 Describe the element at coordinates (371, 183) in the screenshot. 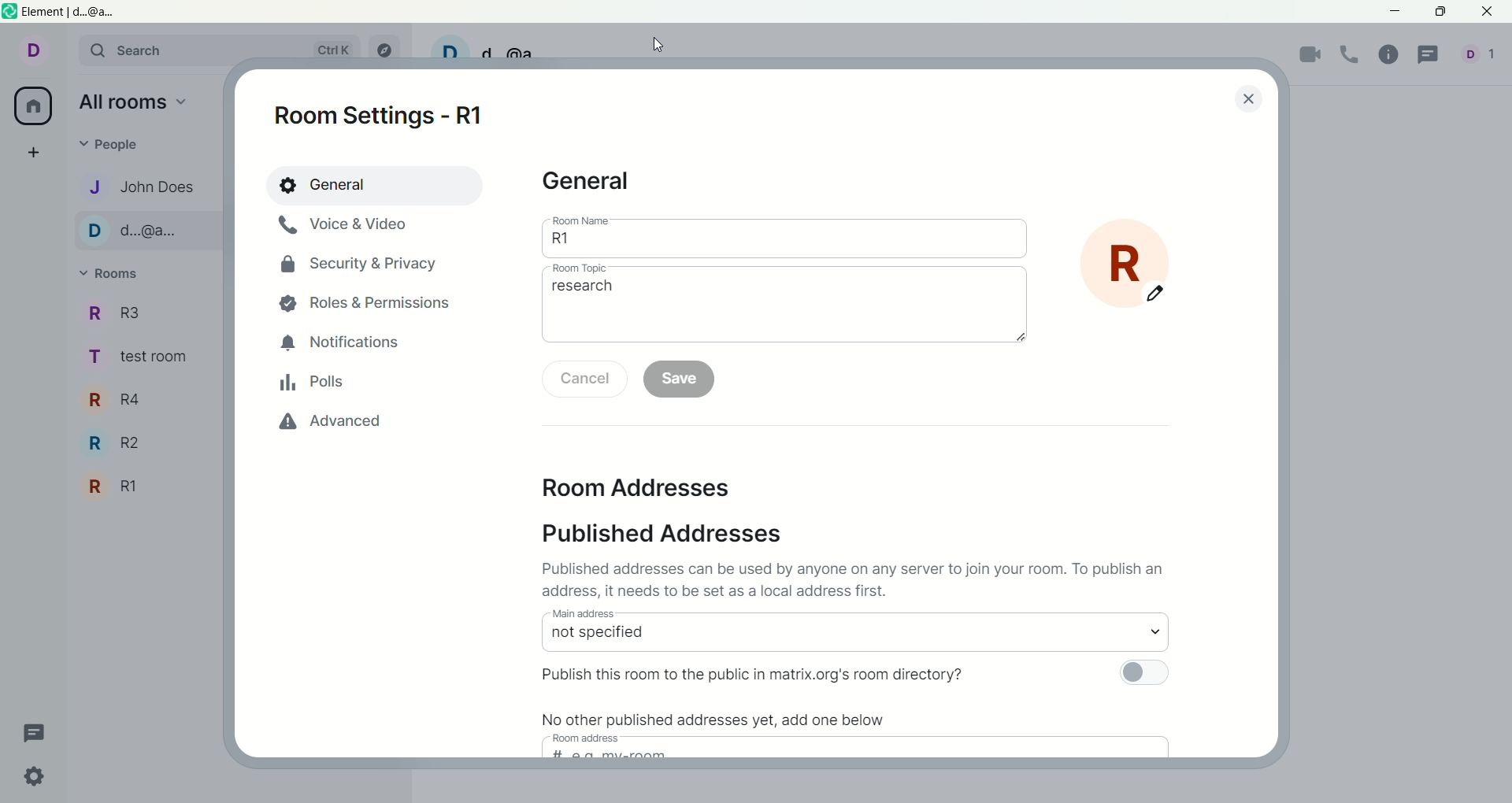

I see `general` at that location.